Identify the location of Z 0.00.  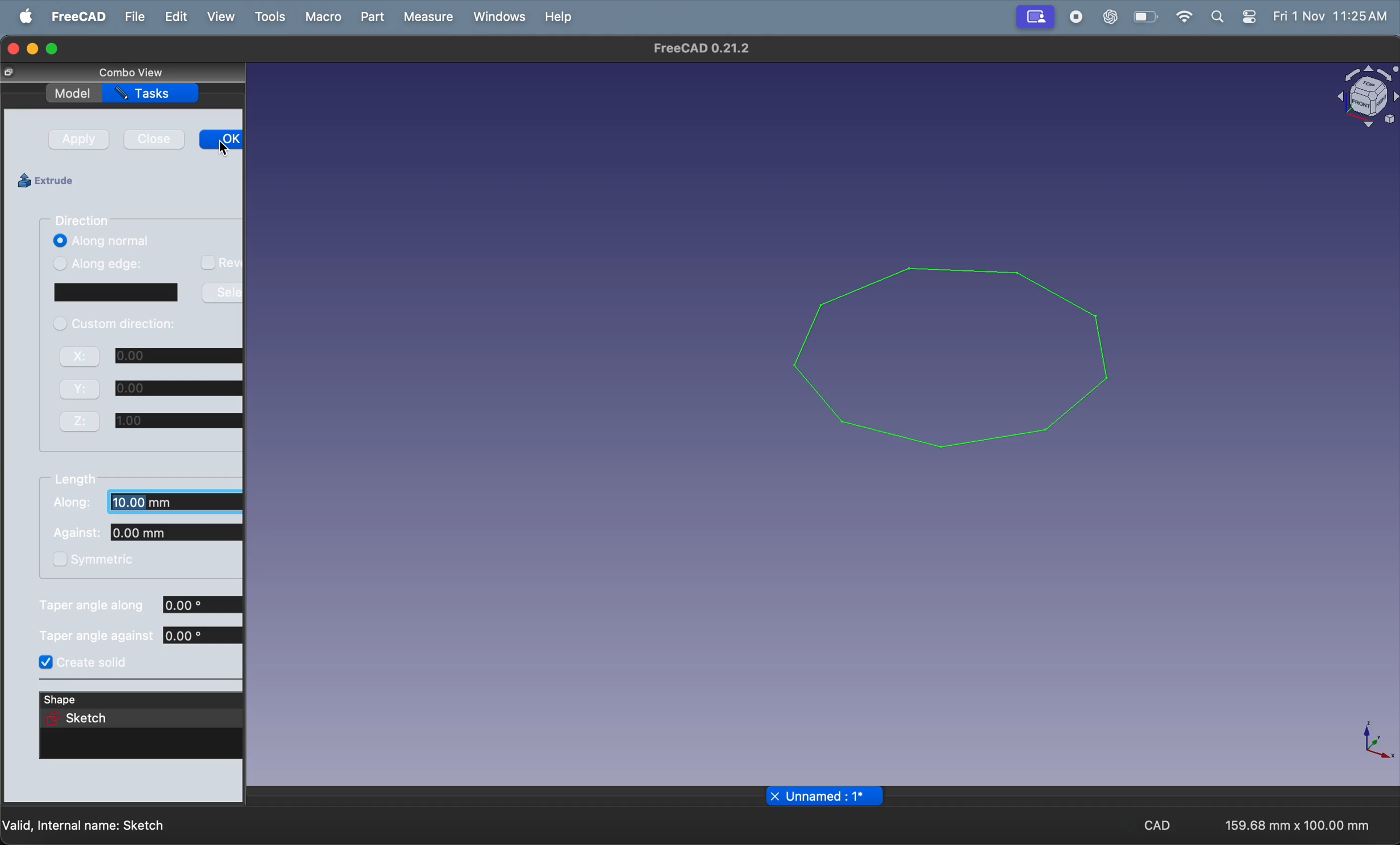
(147, 423).